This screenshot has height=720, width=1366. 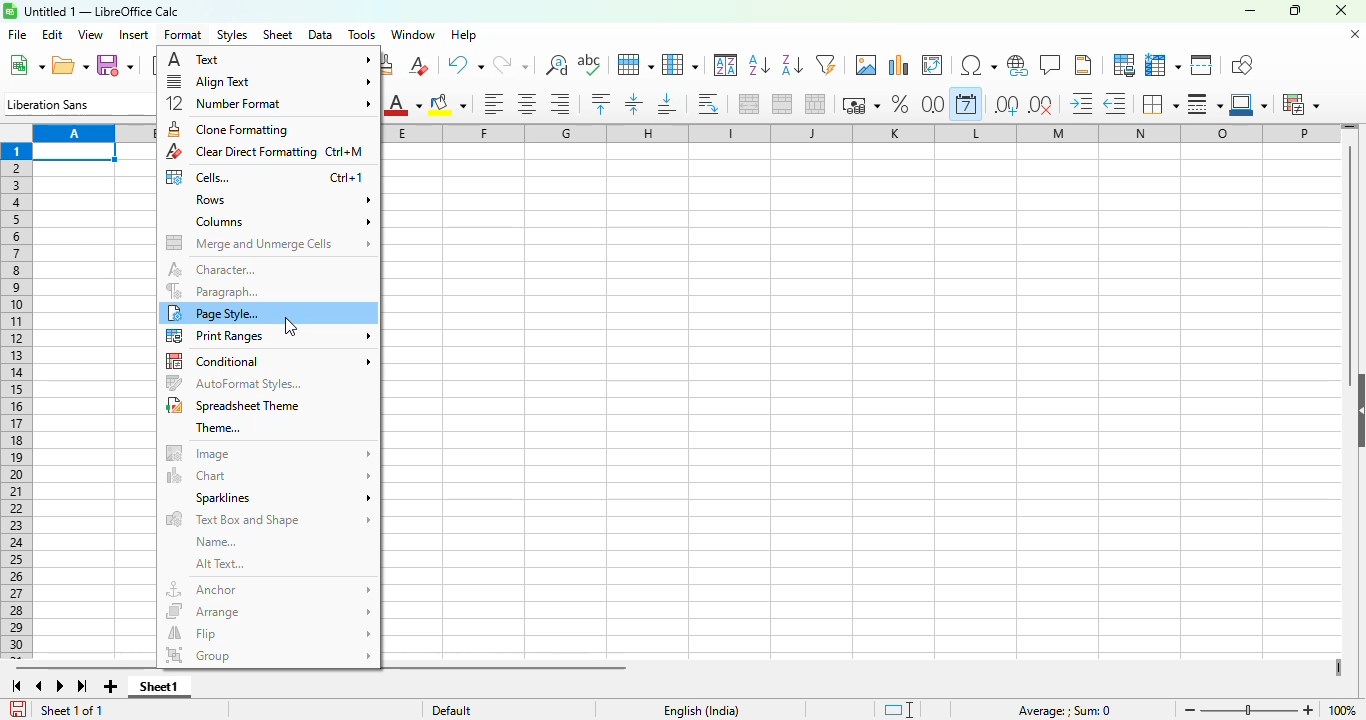 What do you see at coordinates (213, 291) in the screenshot?
I see `paragraph` at bounding box center [213, 291].